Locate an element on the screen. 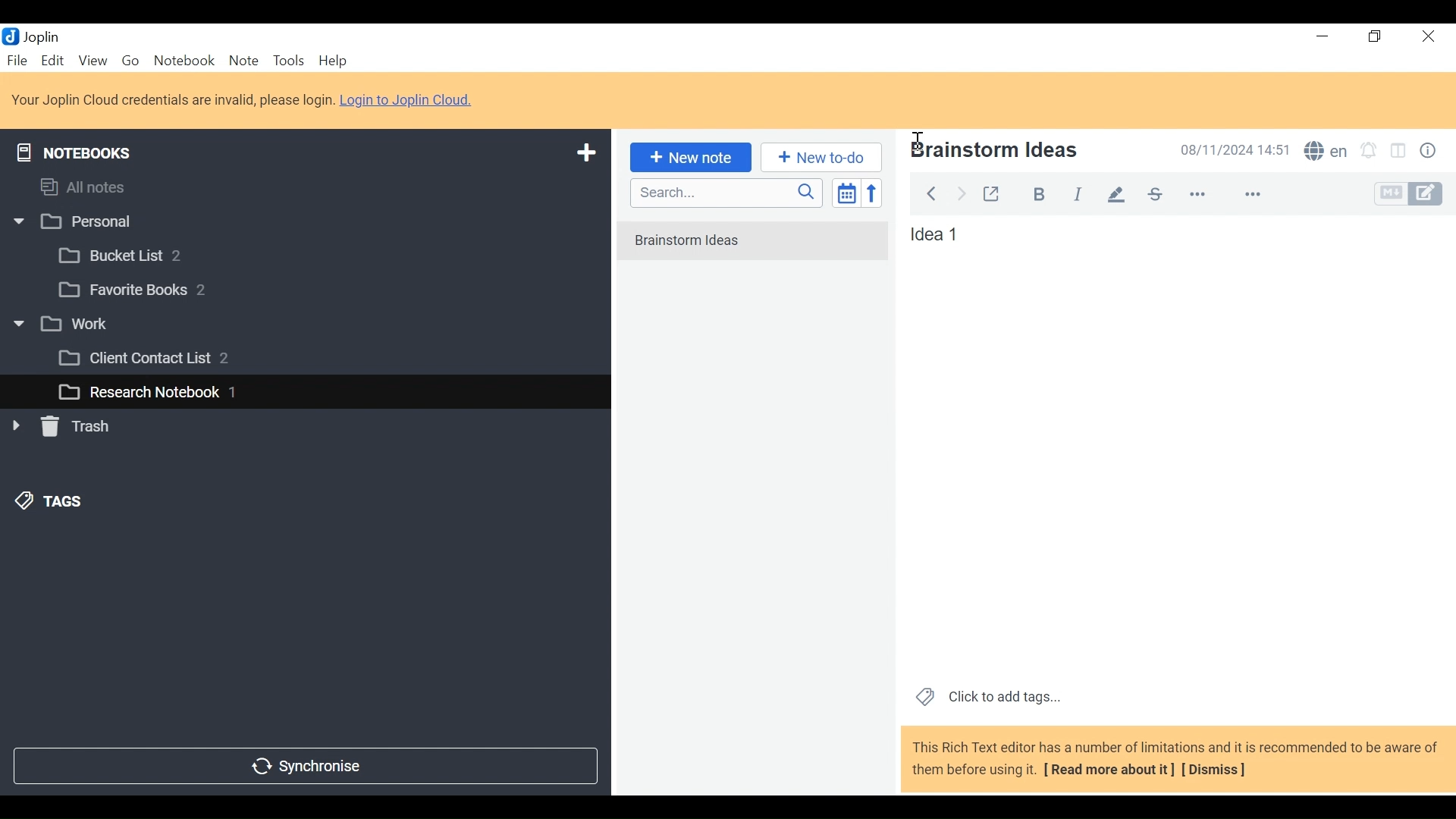 The height and width of the screenshot is (819, 1456). [3 Client Contact List 2 is located at coordinates (166, 362).